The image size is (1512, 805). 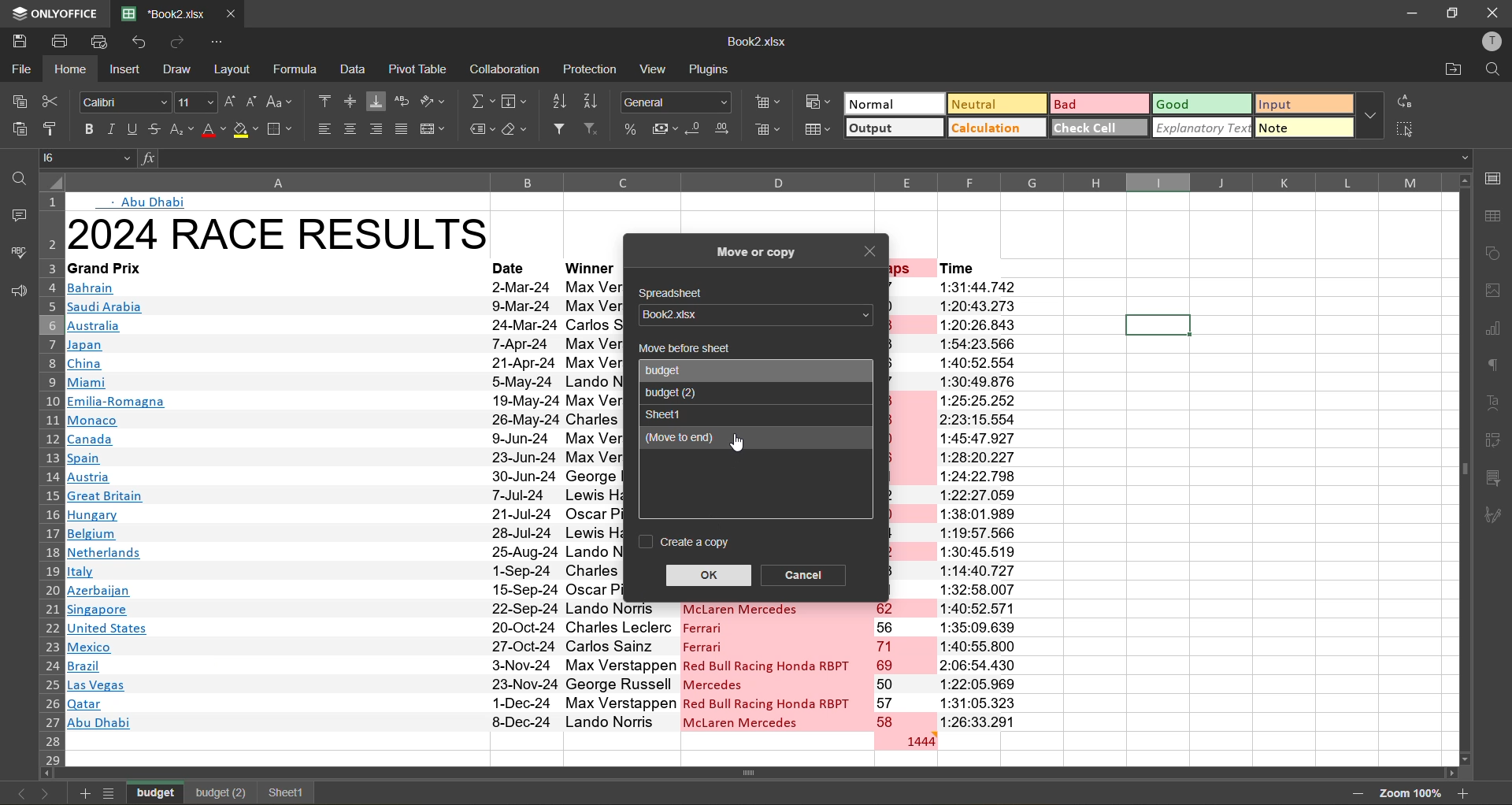 I want to click on quick print, so click(x=101, y=40).